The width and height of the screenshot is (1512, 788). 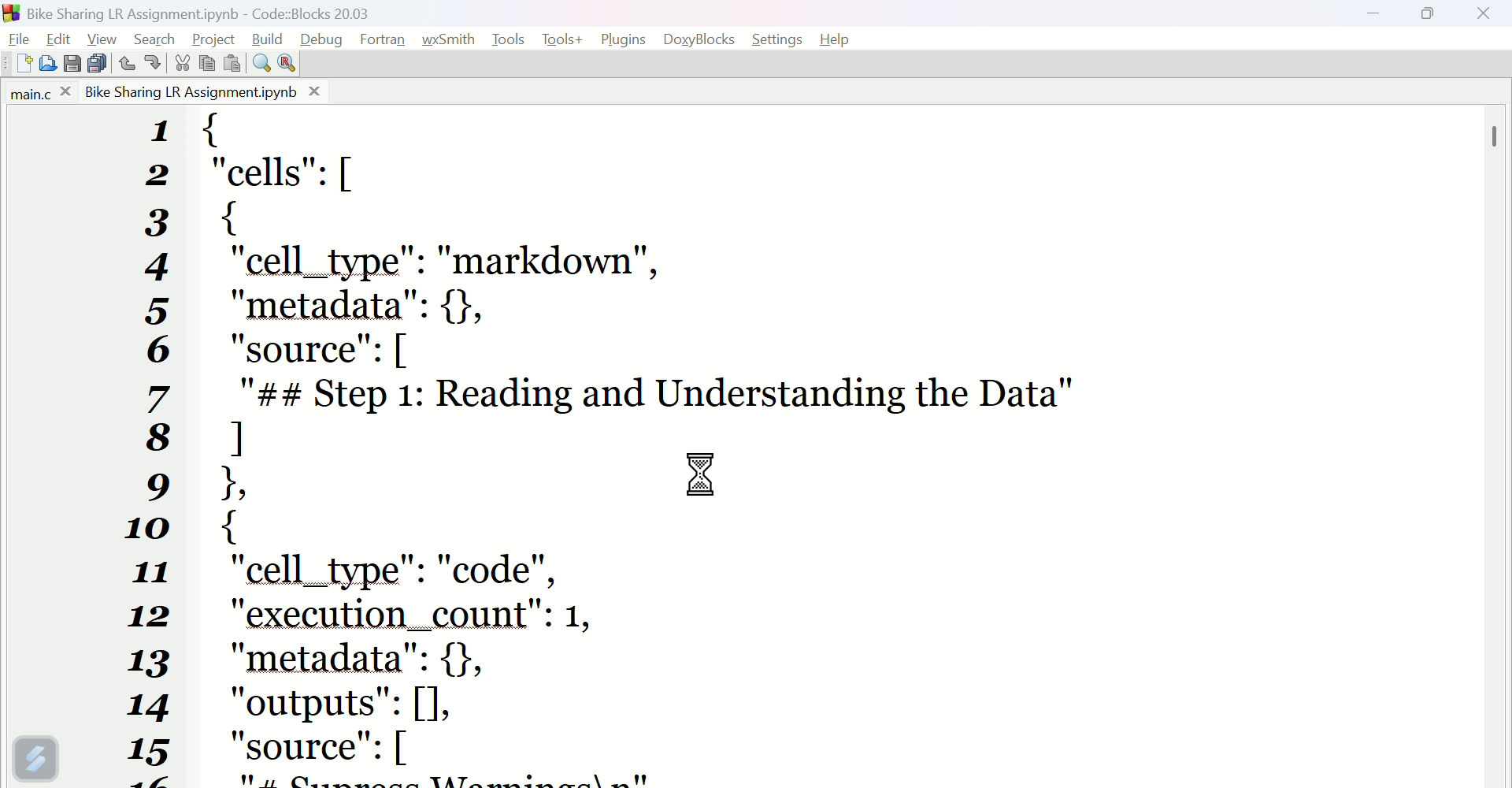 What do you see at coordinates (1496, 135) in the screenshot?
I see `Scrollbar` at bounding box center [1496, 135].